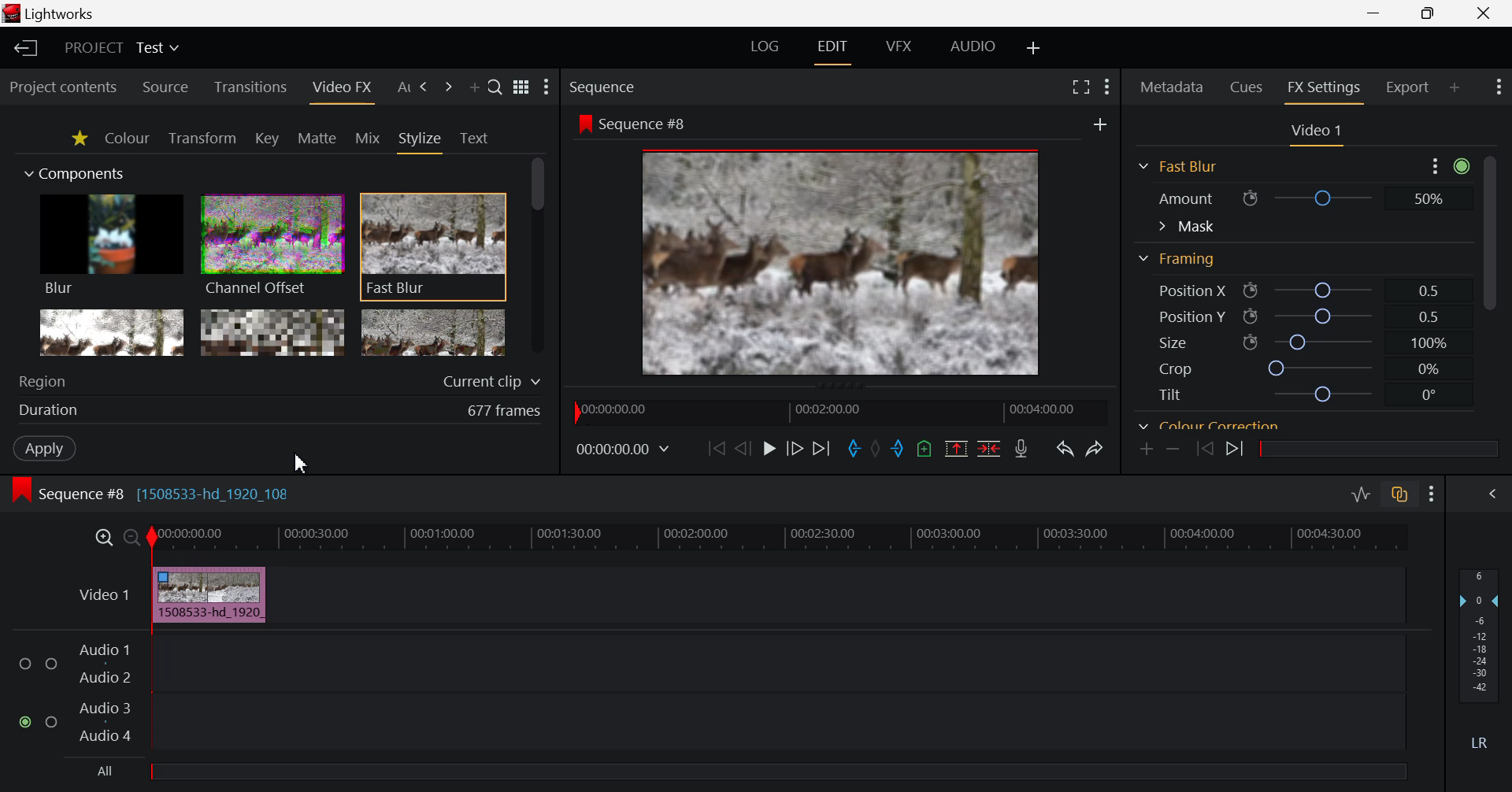 The height and width of the screenshot is (792, 1512). What do you see at coordinates (1080, 89) in the screenshot?
I see `Full Screen` at bounding box center [1080, 89].